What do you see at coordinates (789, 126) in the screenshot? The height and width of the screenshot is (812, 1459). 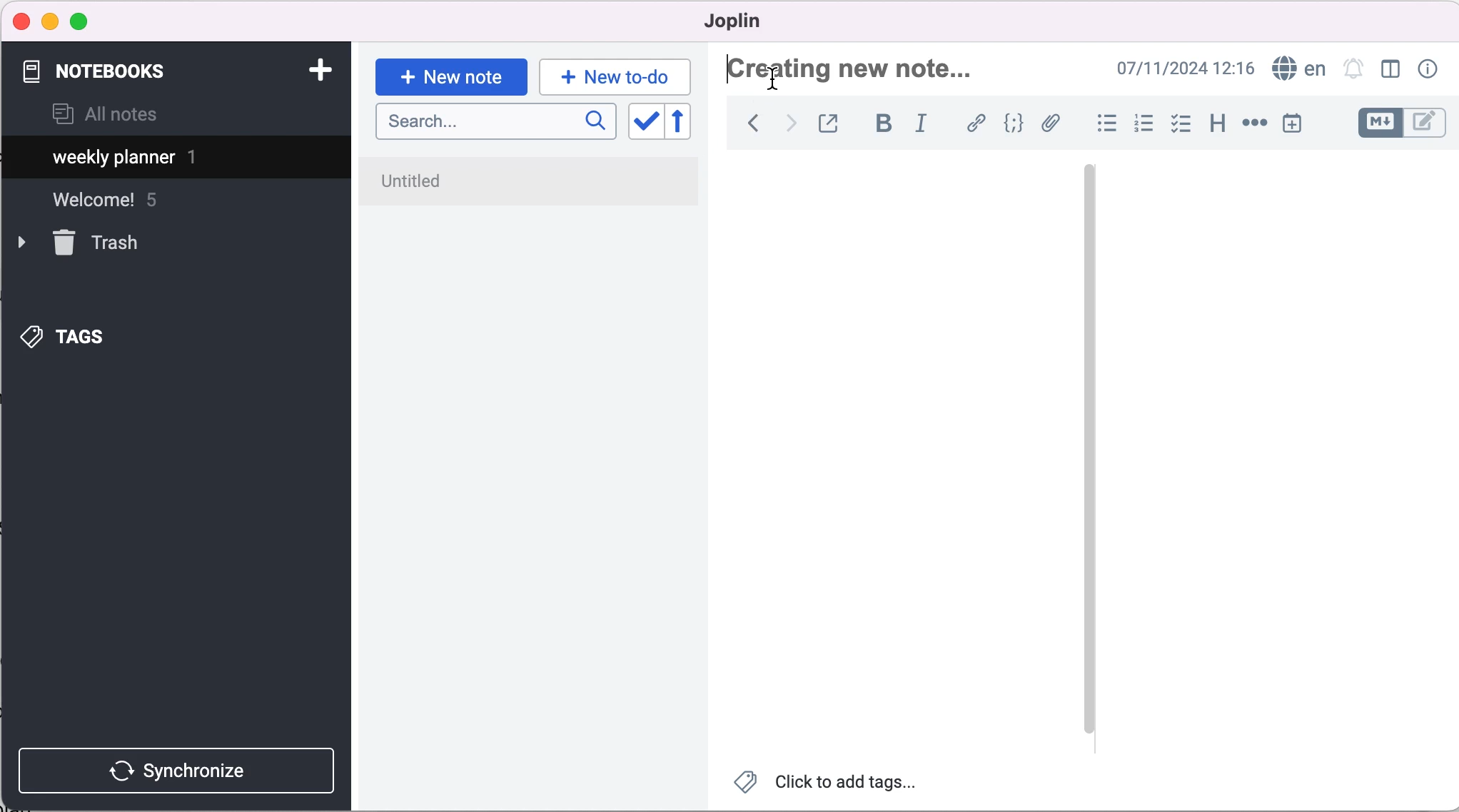 I see `forward` at bounding box center [789, 126].